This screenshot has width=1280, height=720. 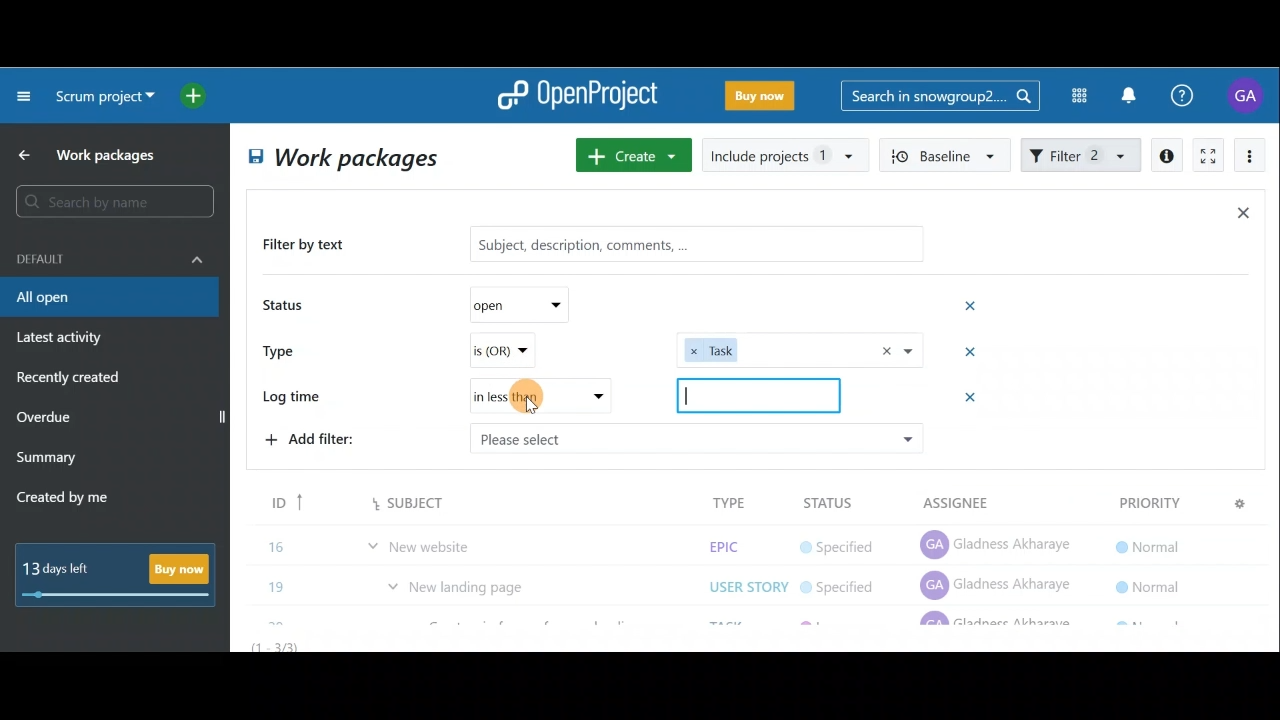 What do you see at coordinates (279, 582) in the screenshot?
I see `20` at bounding box center [279, 582].